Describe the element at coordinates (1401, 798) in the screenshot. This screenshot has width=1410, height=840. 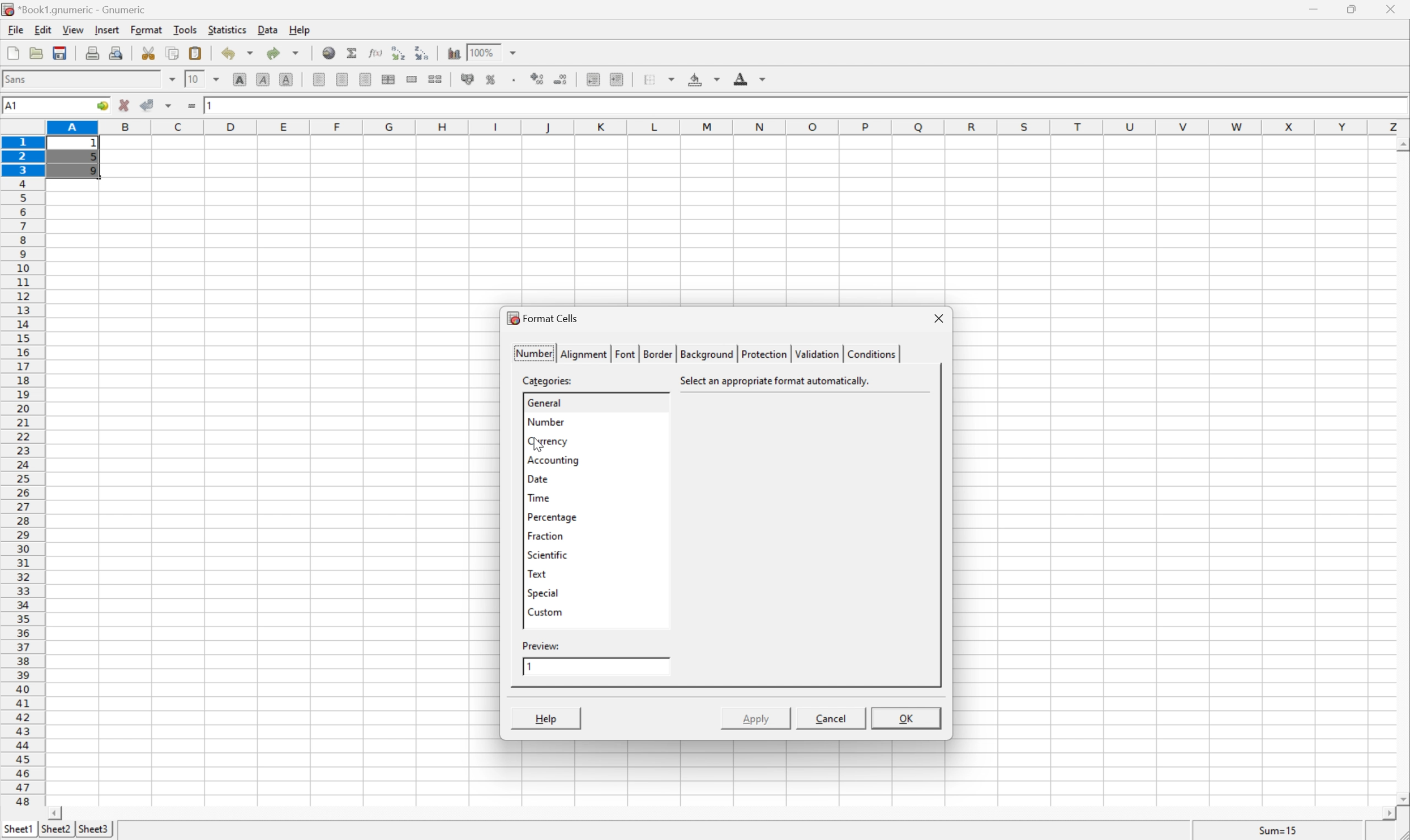
I see `scroll down` at that location.